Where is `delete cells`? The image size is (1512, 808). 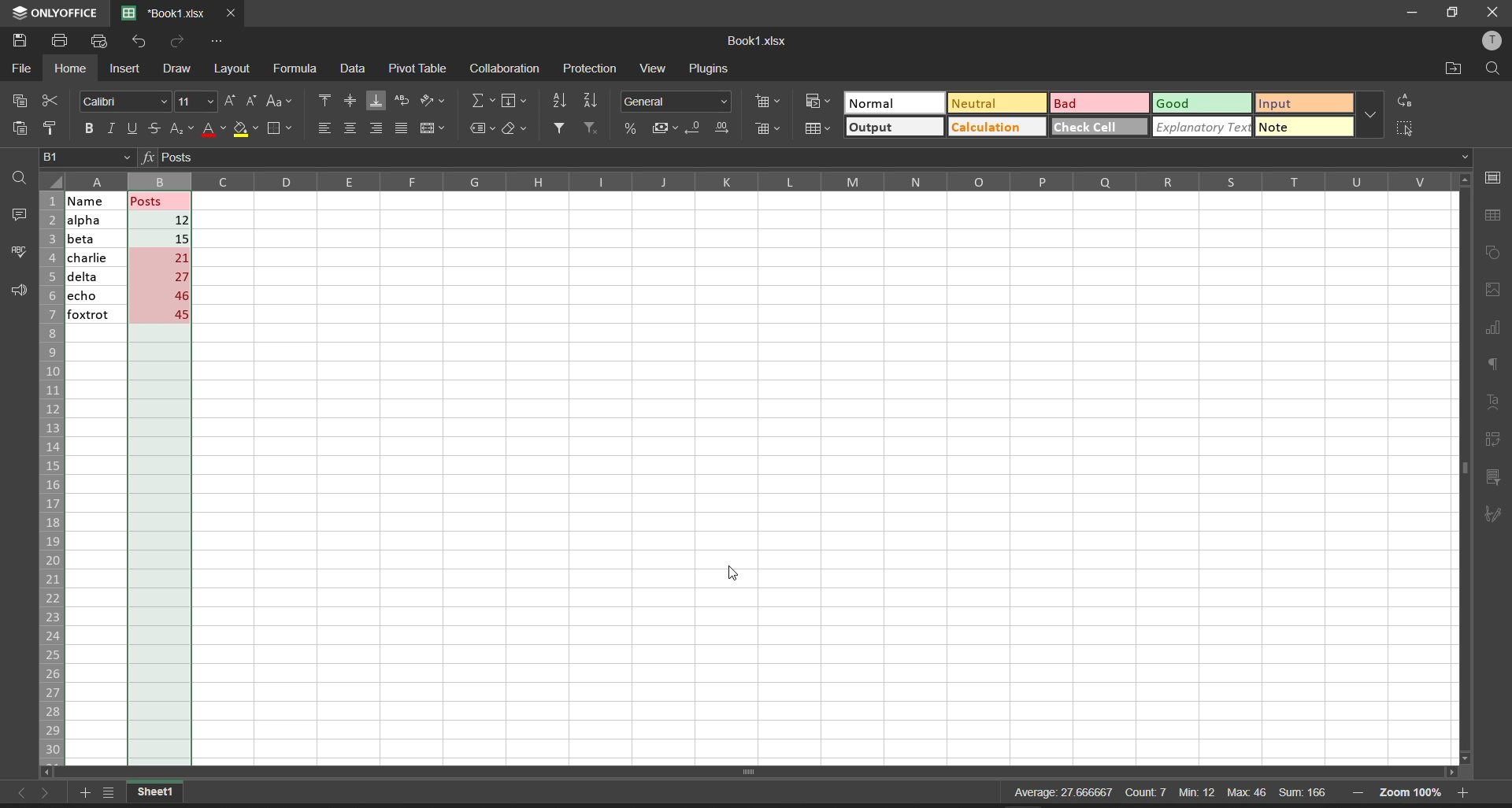
delete cells is located at coordinates (770, 129).